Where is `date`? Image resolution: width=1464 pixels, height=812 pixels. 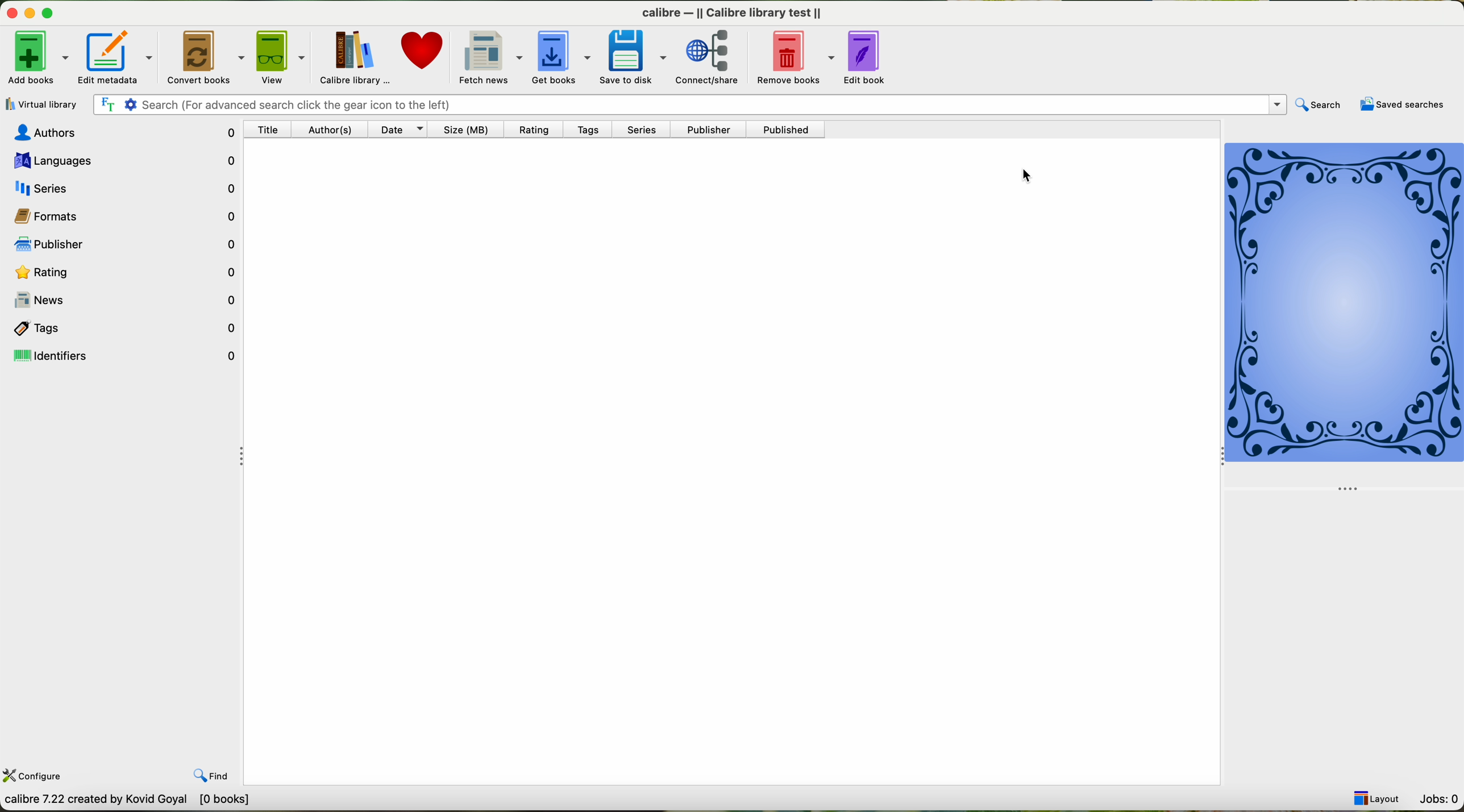
date is located at coordinates (397, 130).